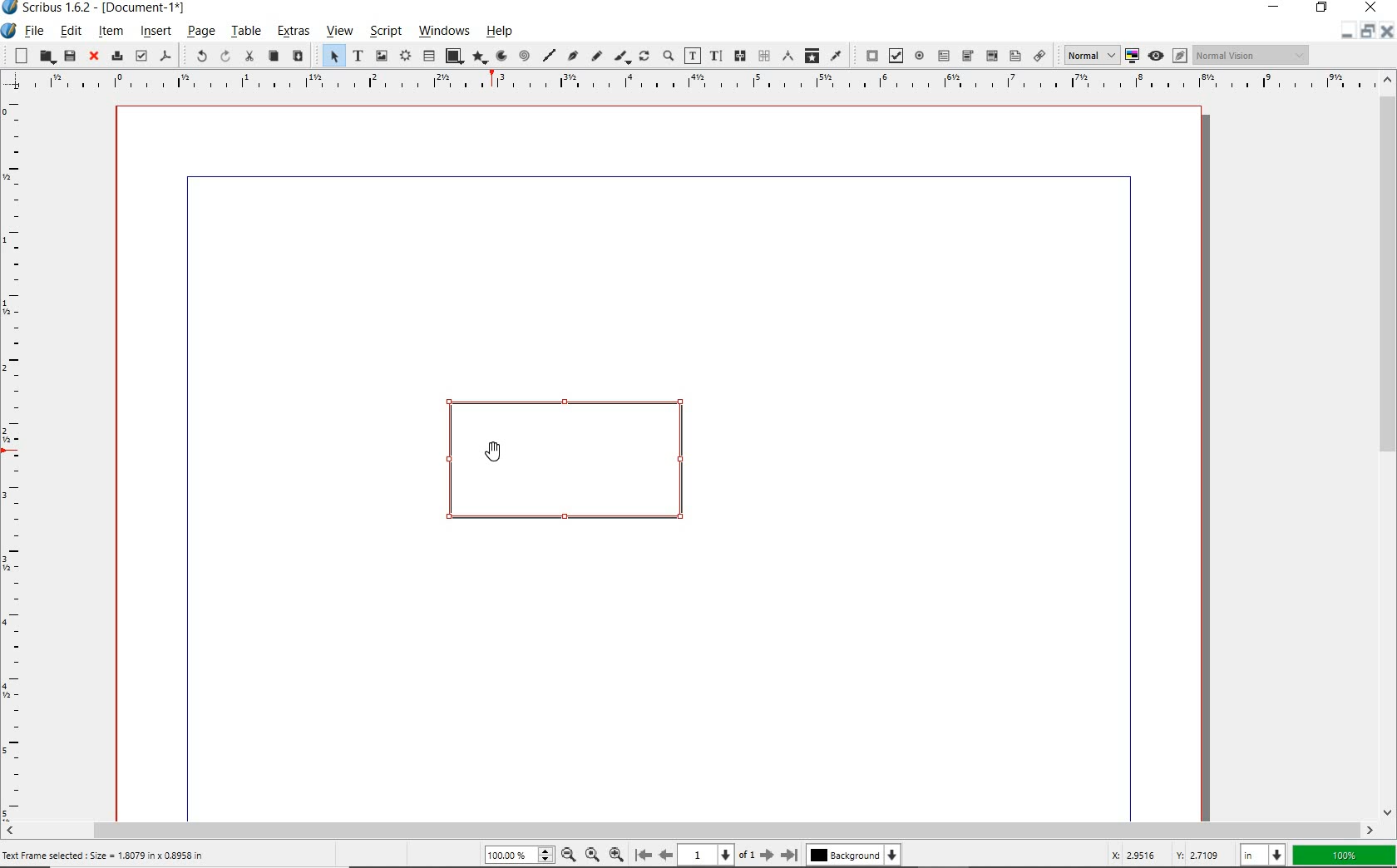 The height and width of the screenshot is (868, 1397). Describe the element at coordinates (196, 55) in the screenshot. I see `undo` at that location.